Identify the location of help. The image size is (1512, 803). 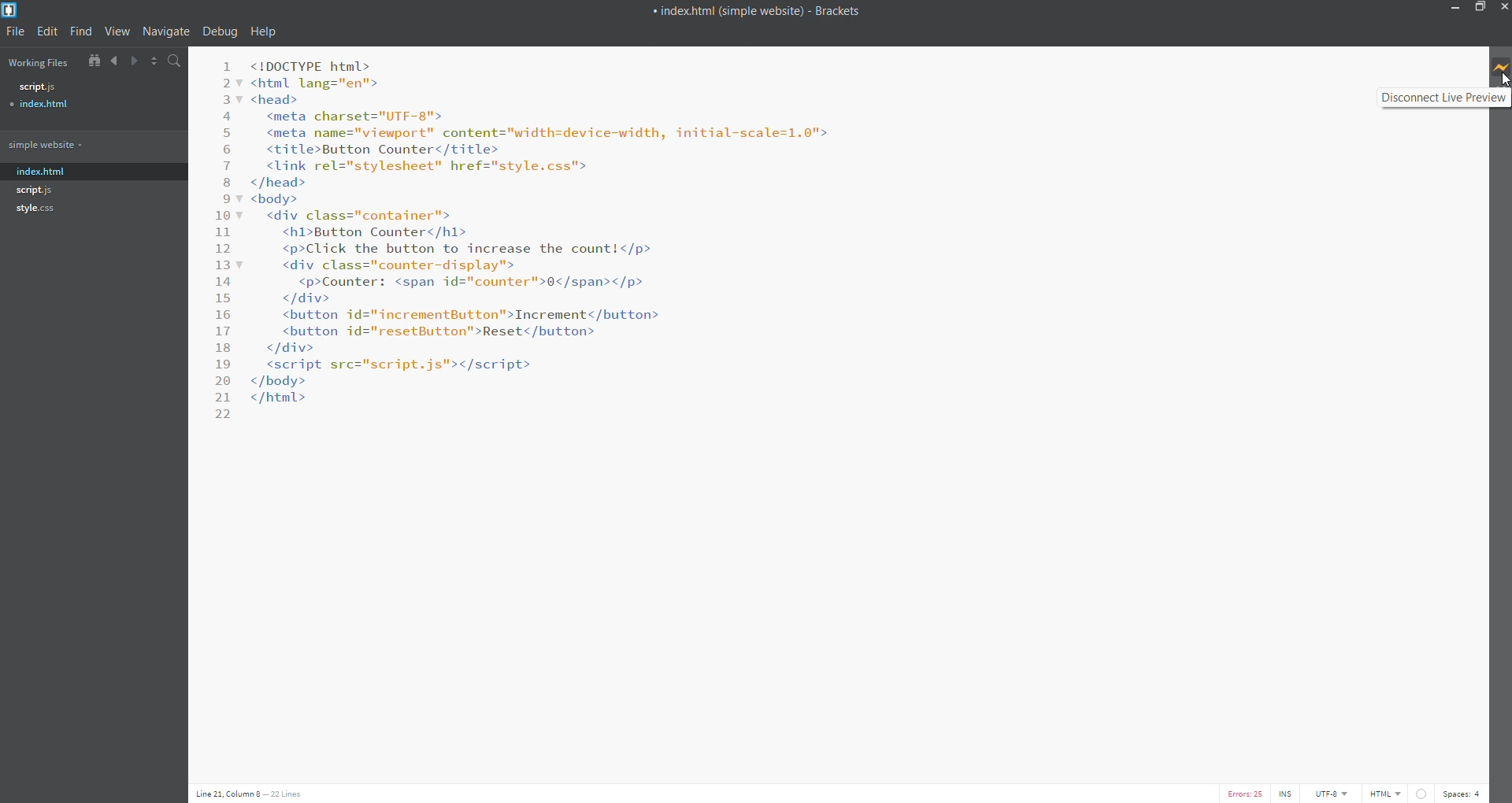
(263, 31).